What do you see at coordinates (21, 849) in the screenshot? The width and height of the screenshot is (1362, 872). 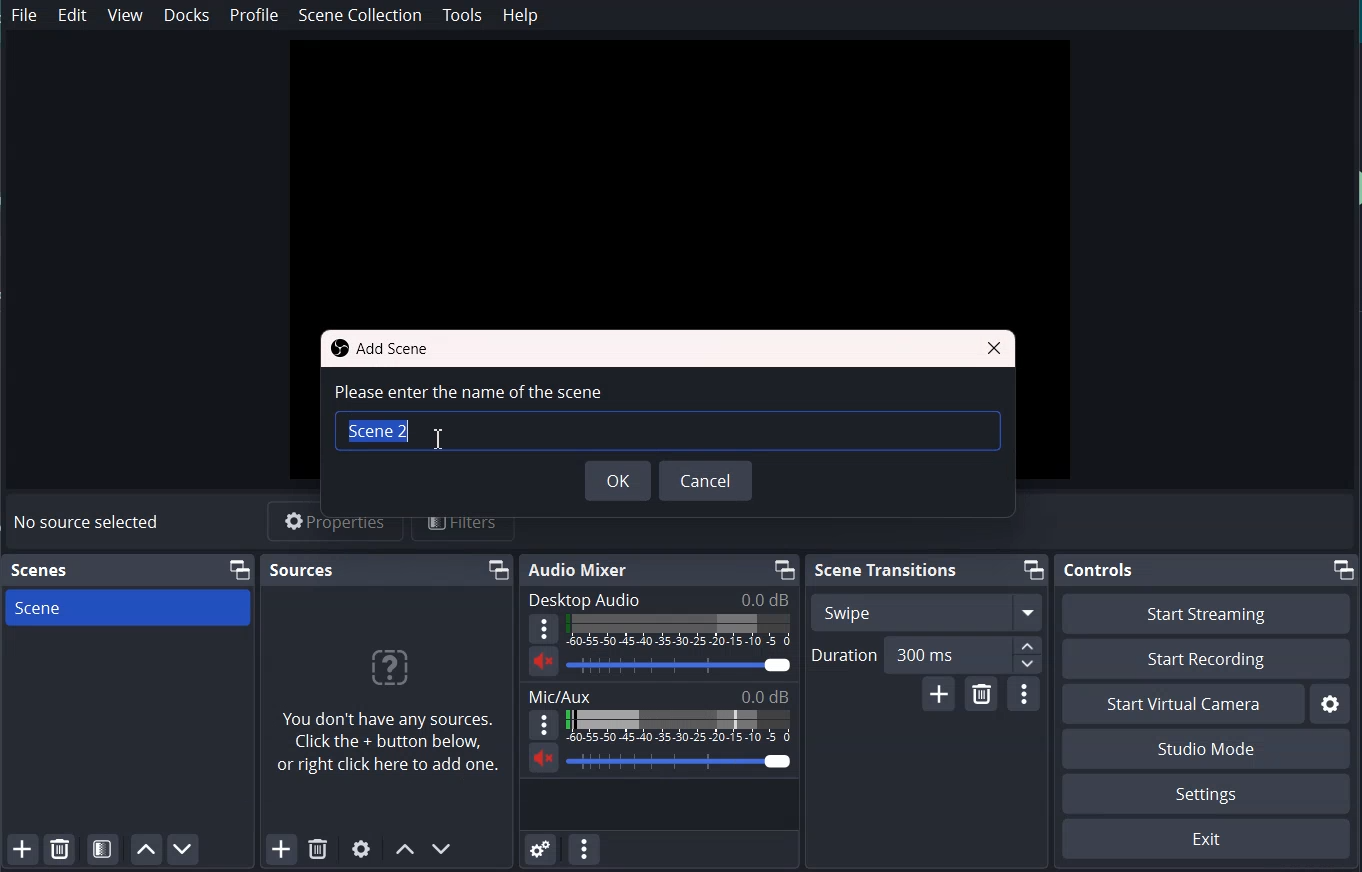 I see `Add scene` at bounding box center [21, 849].